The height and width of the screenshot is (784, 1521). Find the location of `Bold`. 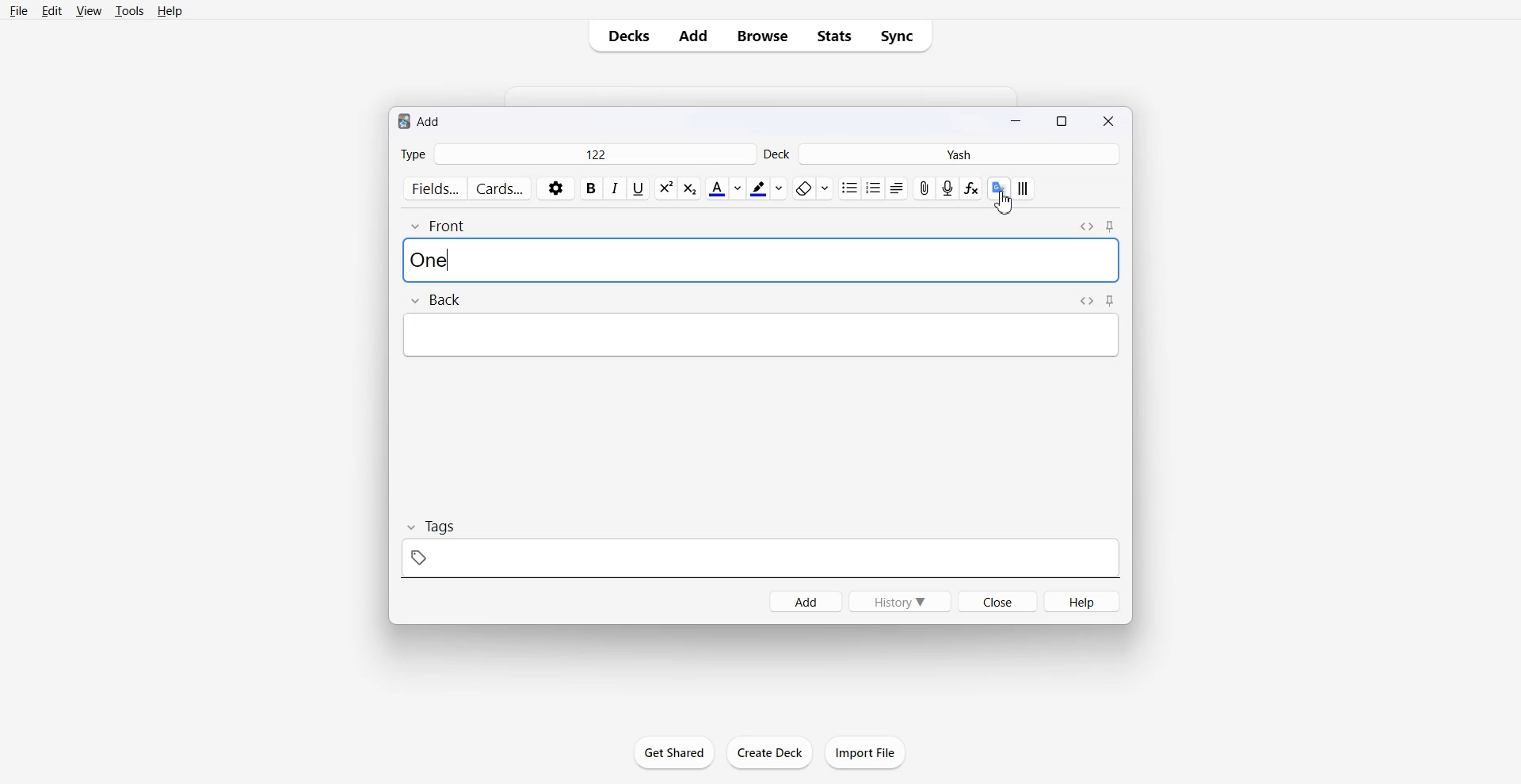

Bold is located at coordinates (592, 188).